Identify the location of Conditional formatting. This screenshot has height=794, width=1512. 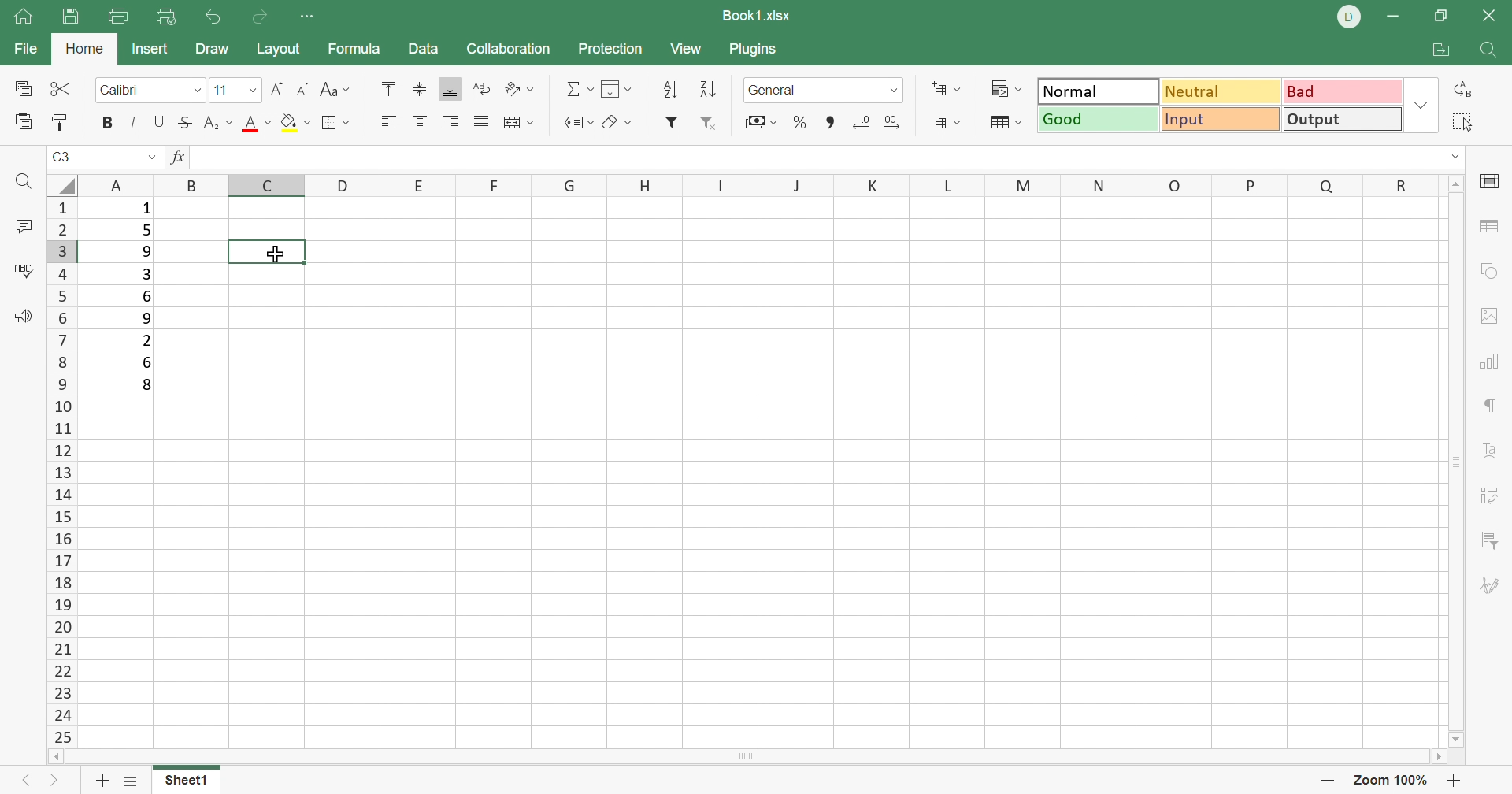
(1002, 89).